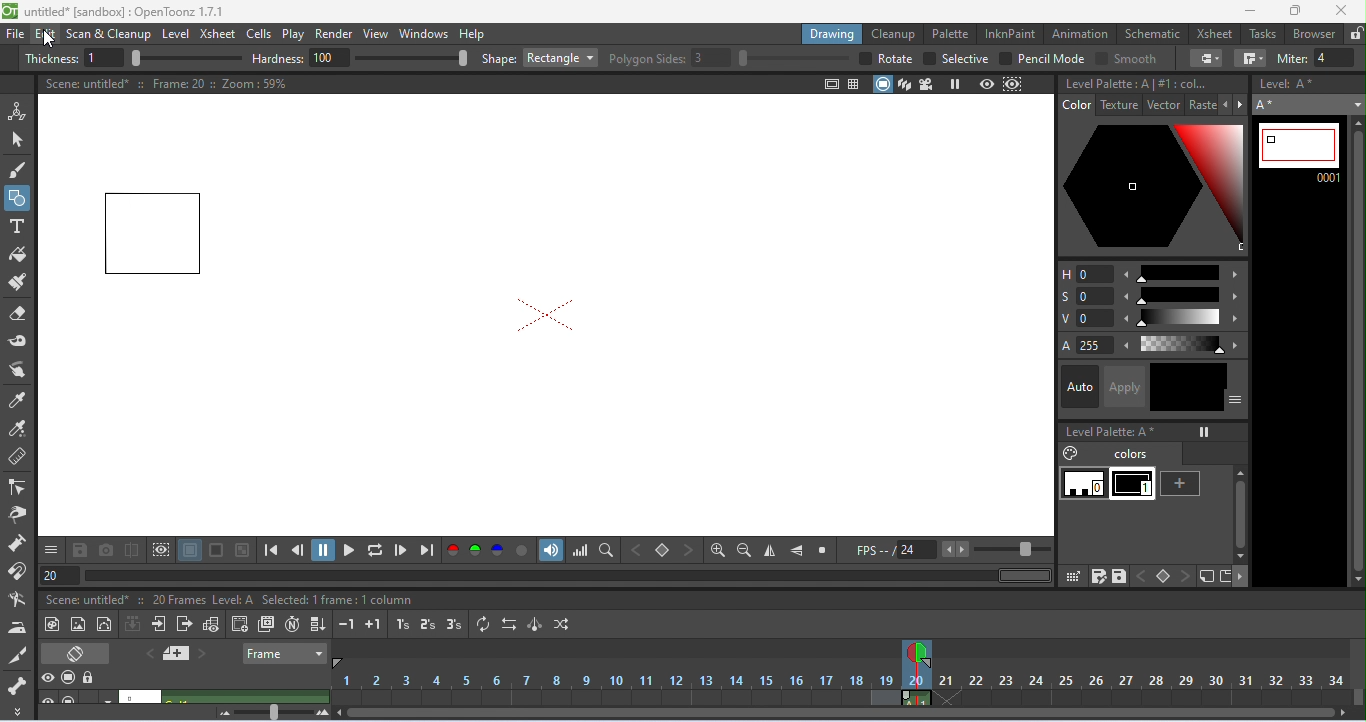 This screenshot has height=722, width=1366. Describe the element at coordinates (1073, 578) in the screenshot. I see `click and drag palette into studio palette` at that location.